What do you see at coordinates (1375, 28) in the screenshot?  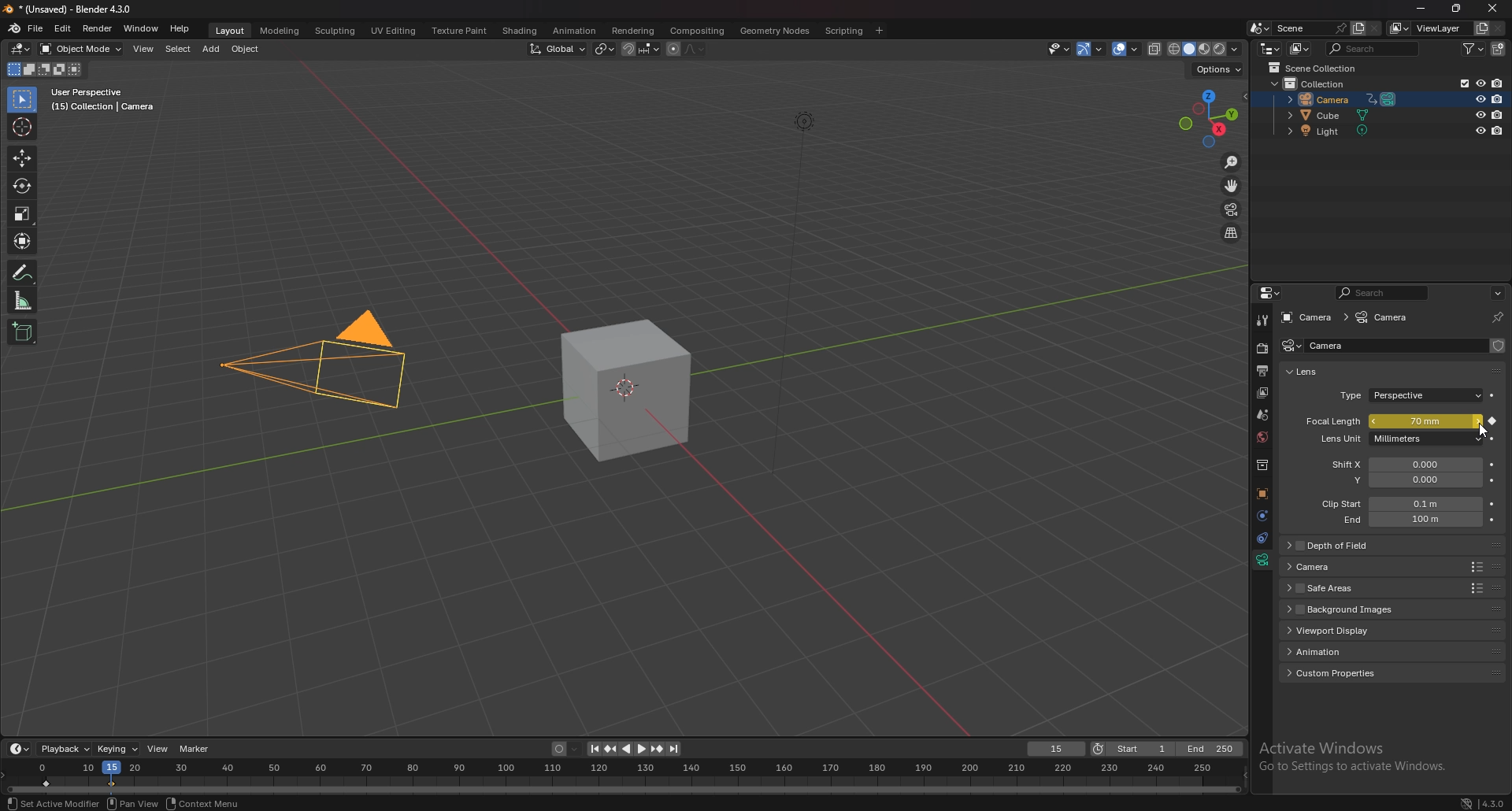 I see `delete scene` at bounding box center [1375, 28].